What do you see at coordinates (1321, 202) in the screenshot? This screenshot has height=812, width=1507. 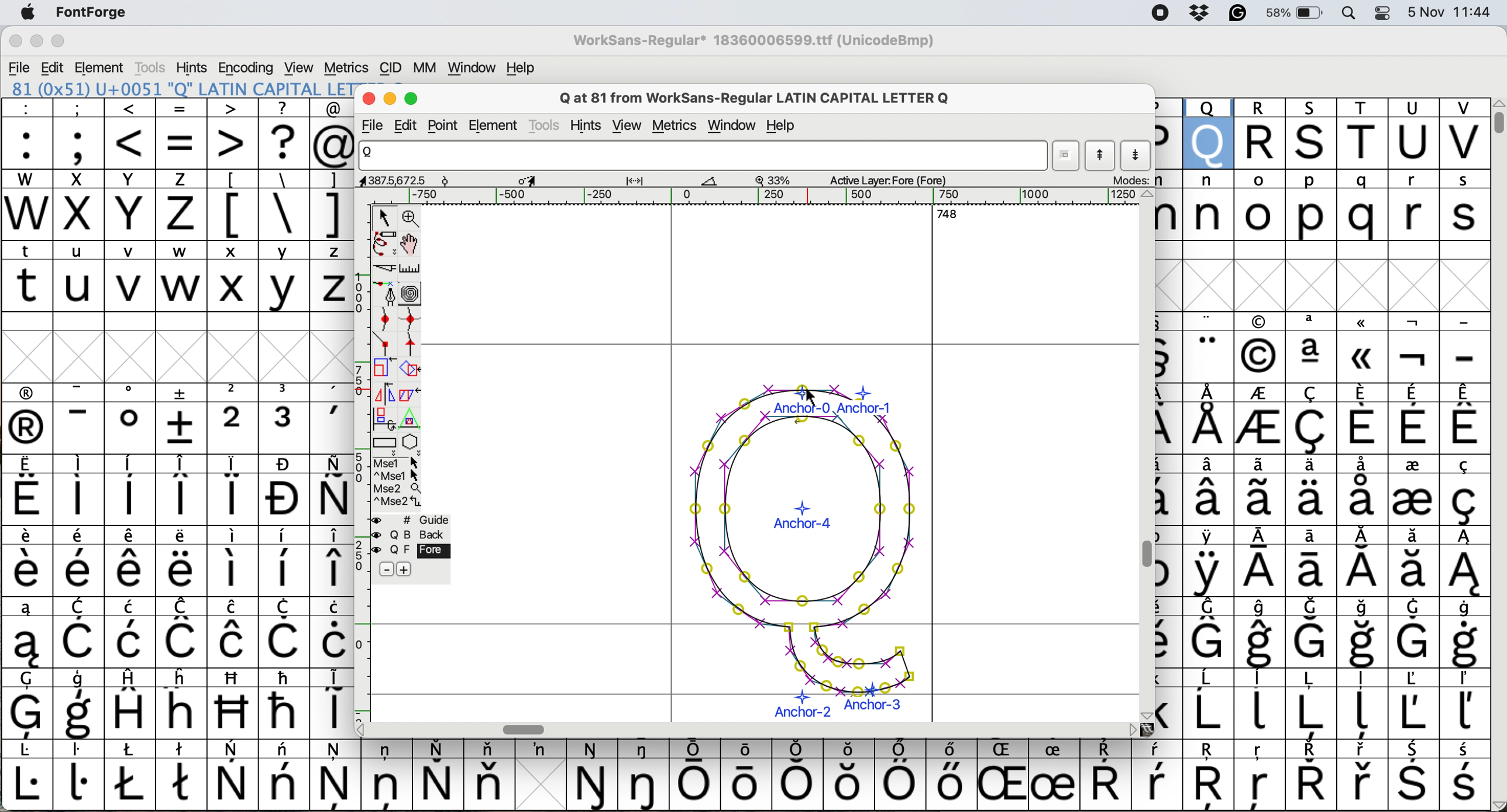 I see `lowercase letters` at bounding box center [1321, 202].